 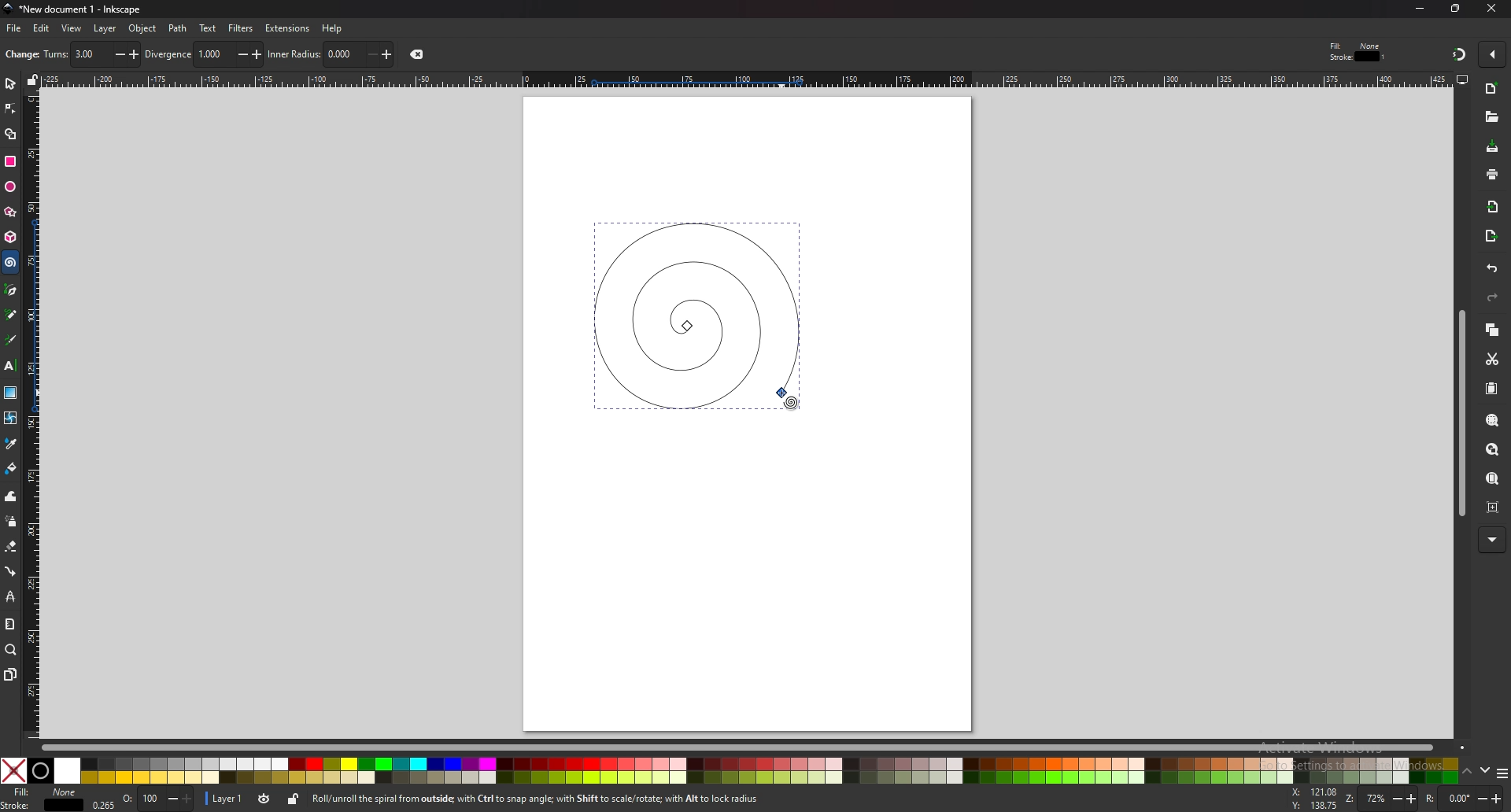 I want to click on node, so click(x=10, y=109).